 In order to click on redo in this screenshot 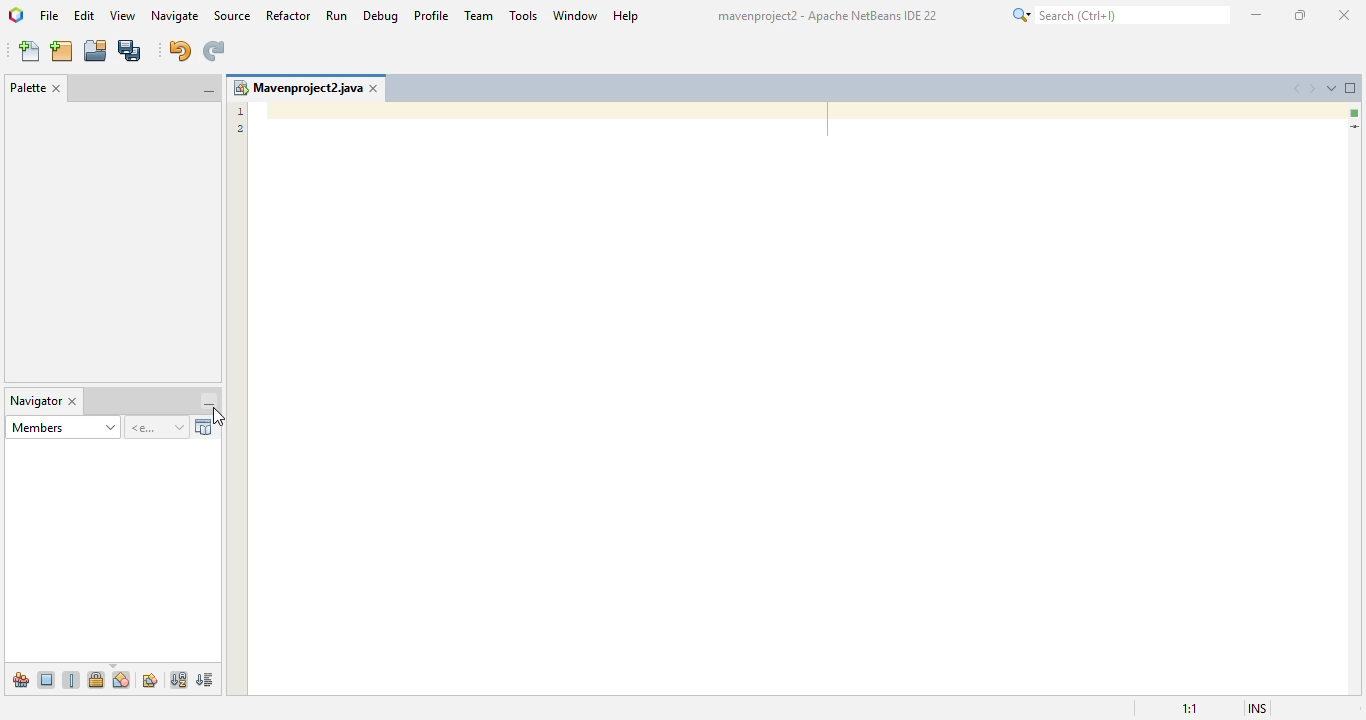, I will do `click(215, 51)`.